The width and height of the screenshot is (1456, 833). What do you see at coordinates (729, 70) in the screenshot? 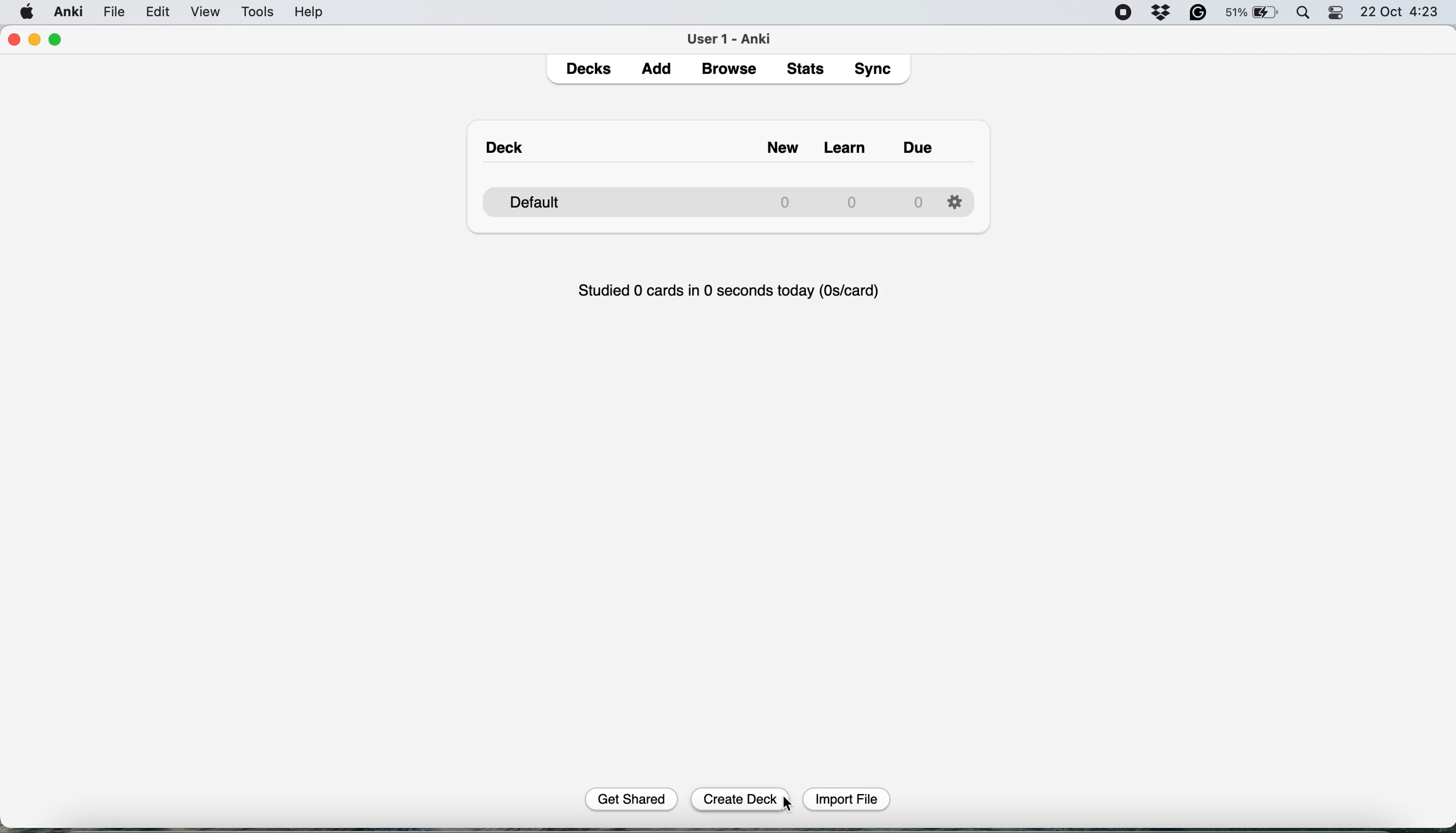
I see `browse` at bounding box center [729, 70].